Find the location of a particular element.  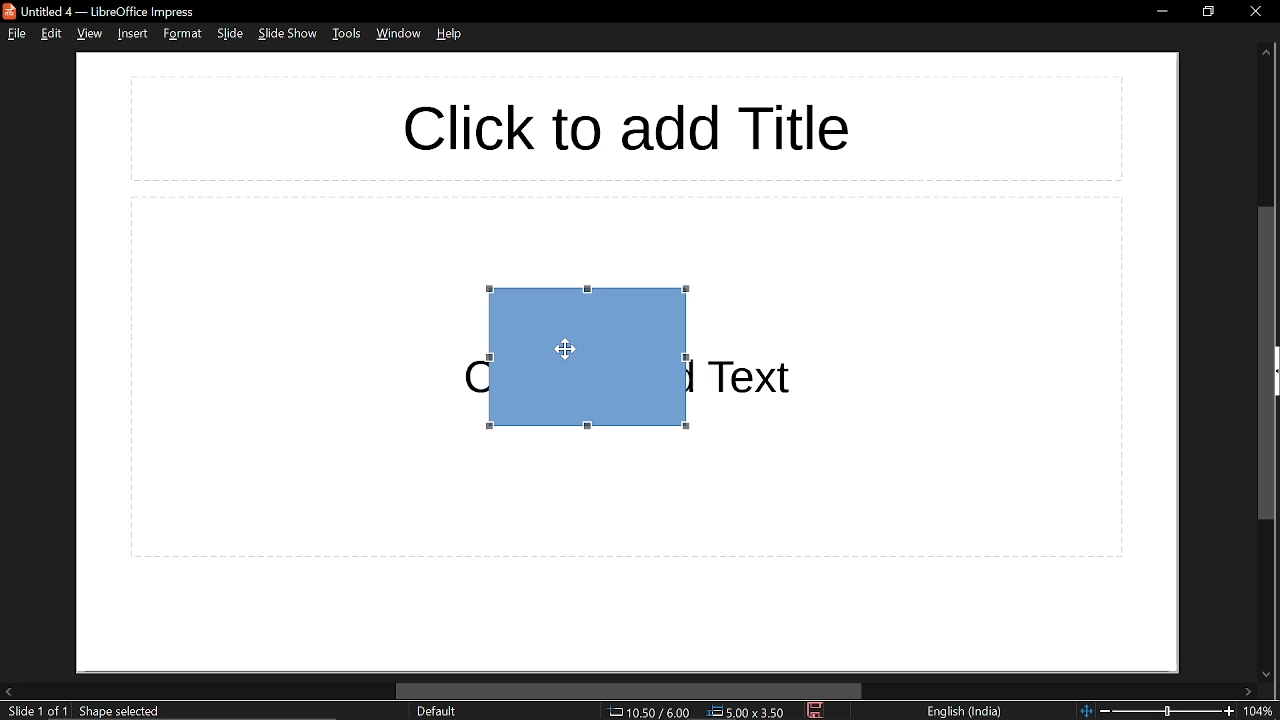

help is located at coordinates (450, 33).